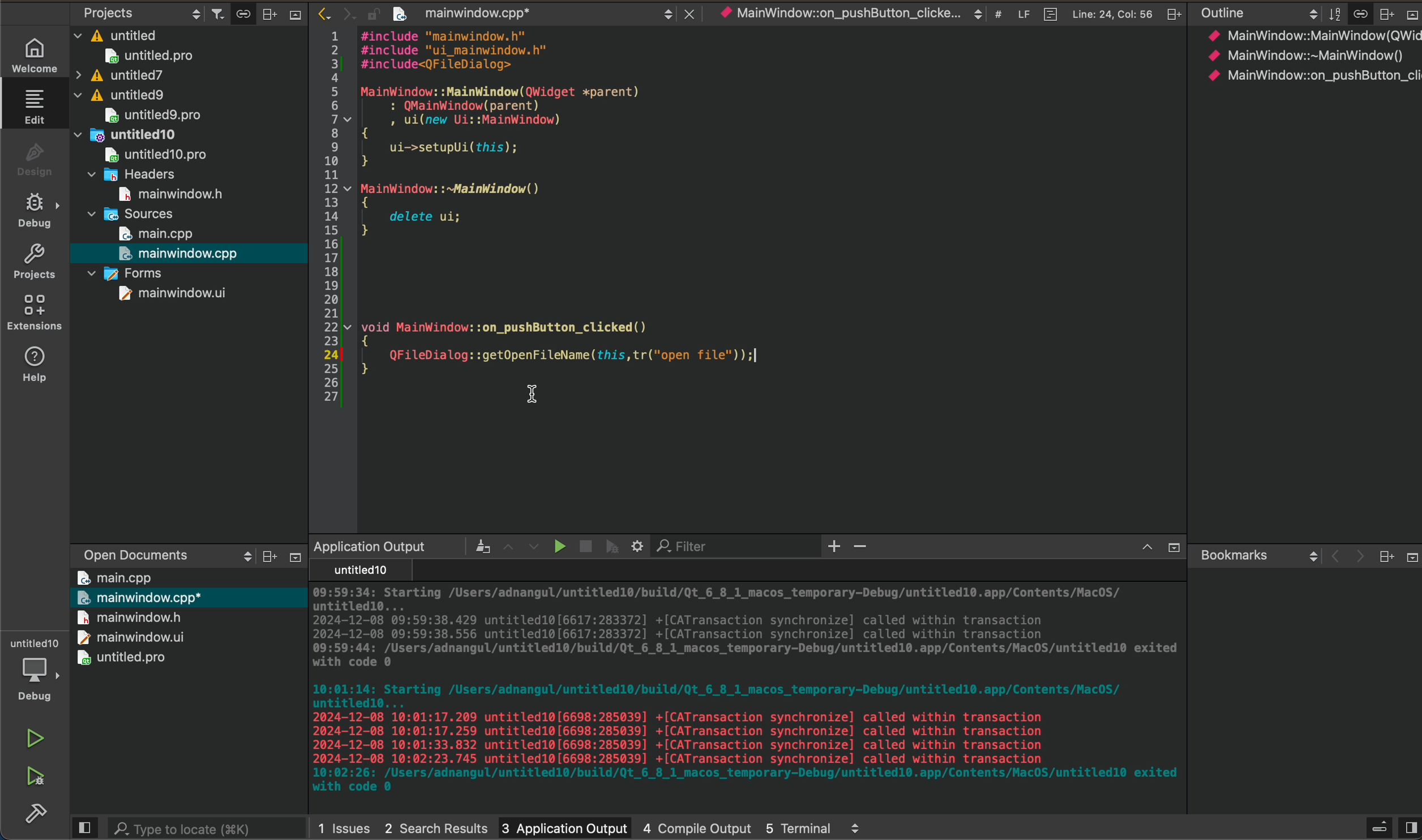 The image size is (1422, 840). I want to click on mainwindow.cpp’, so click(139, 596).